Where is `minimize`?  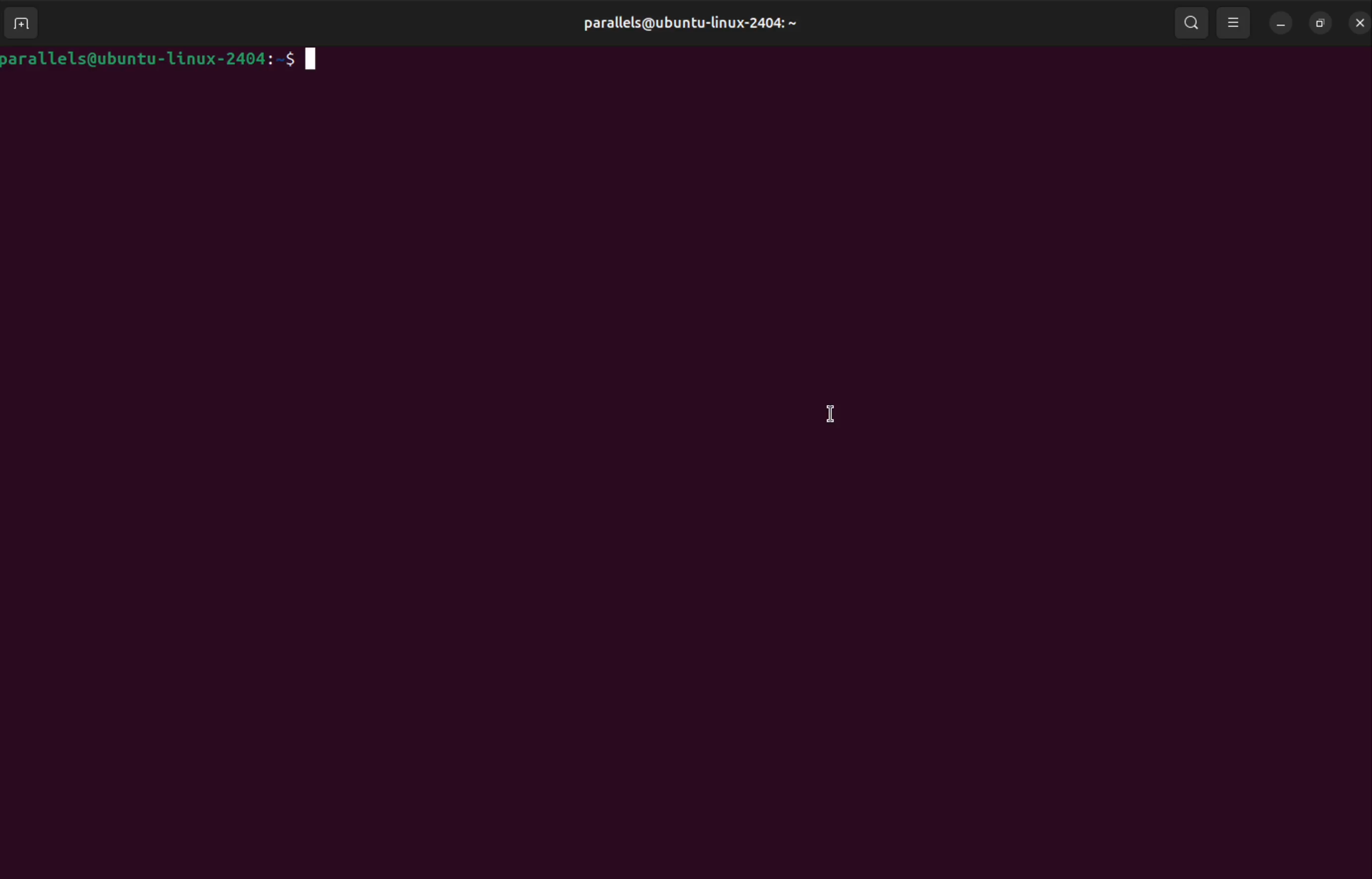
minimize is located at coordinates (1281, 23).